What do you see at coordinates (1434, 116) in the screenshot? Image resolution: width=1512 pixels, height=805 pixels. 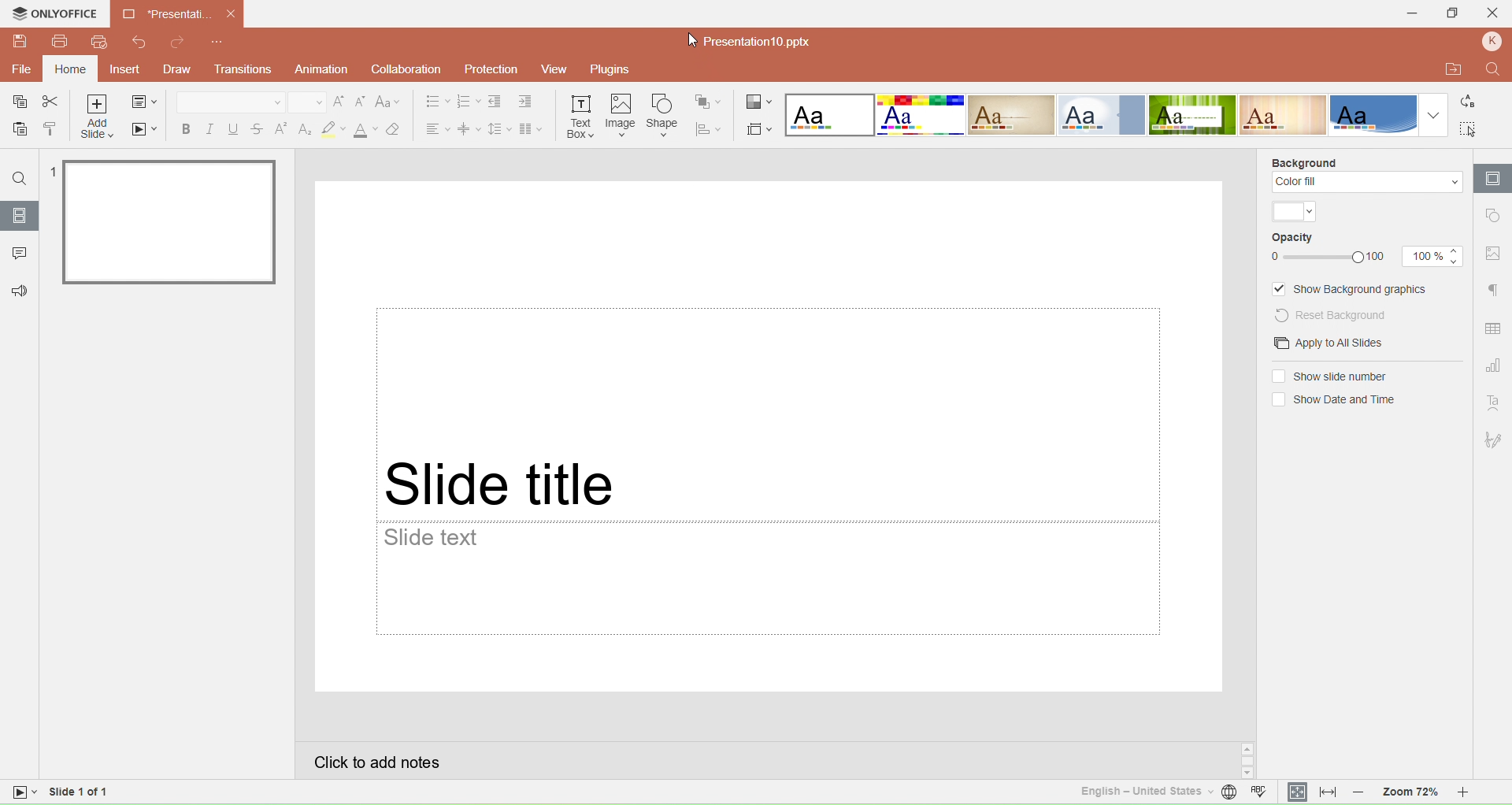 I see `Dropdown` at bounding box center [1434, 116].